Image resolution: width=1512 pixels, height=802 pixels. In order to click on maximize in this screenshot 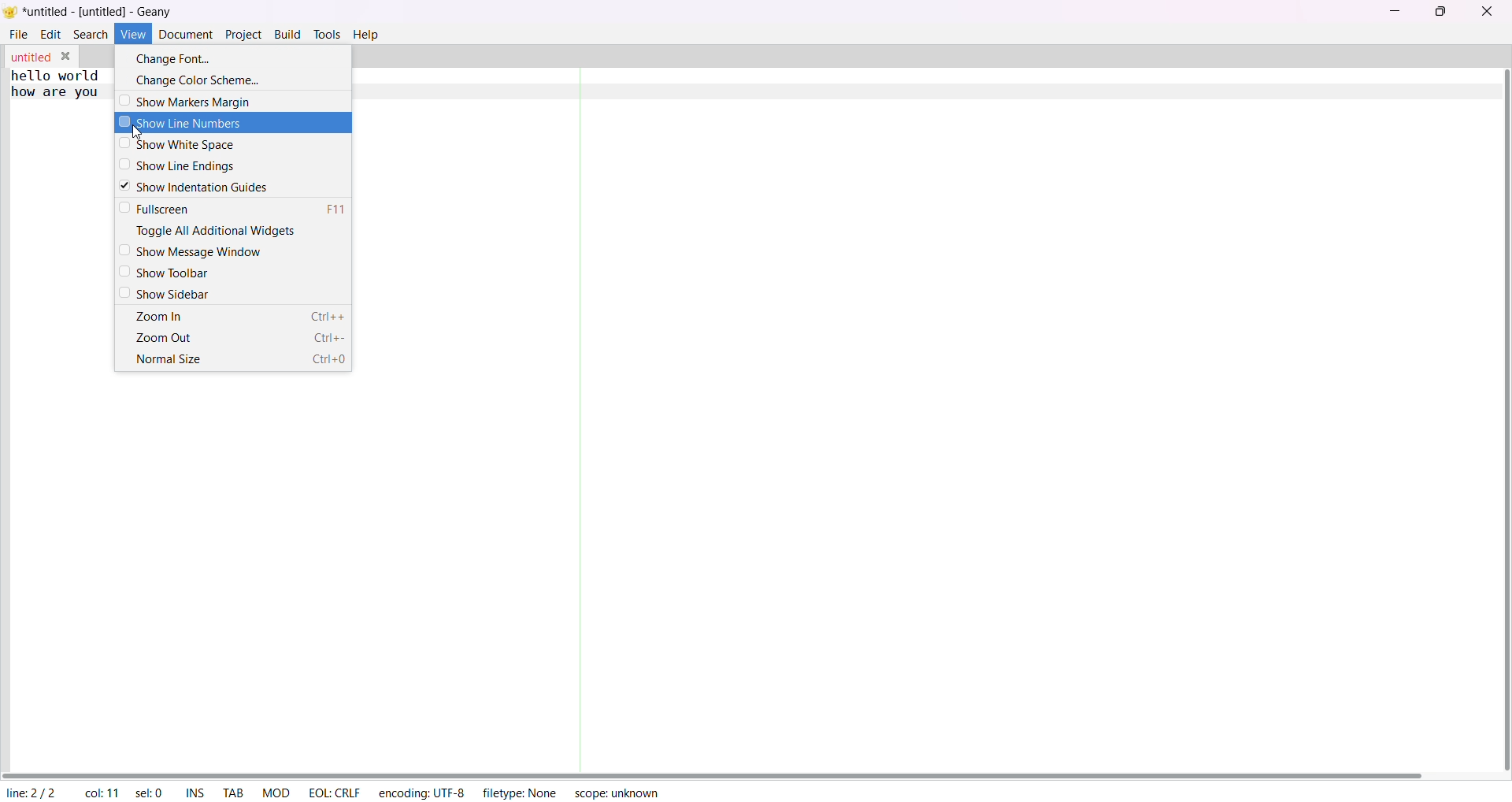, I will do `click(1443, 12)`.